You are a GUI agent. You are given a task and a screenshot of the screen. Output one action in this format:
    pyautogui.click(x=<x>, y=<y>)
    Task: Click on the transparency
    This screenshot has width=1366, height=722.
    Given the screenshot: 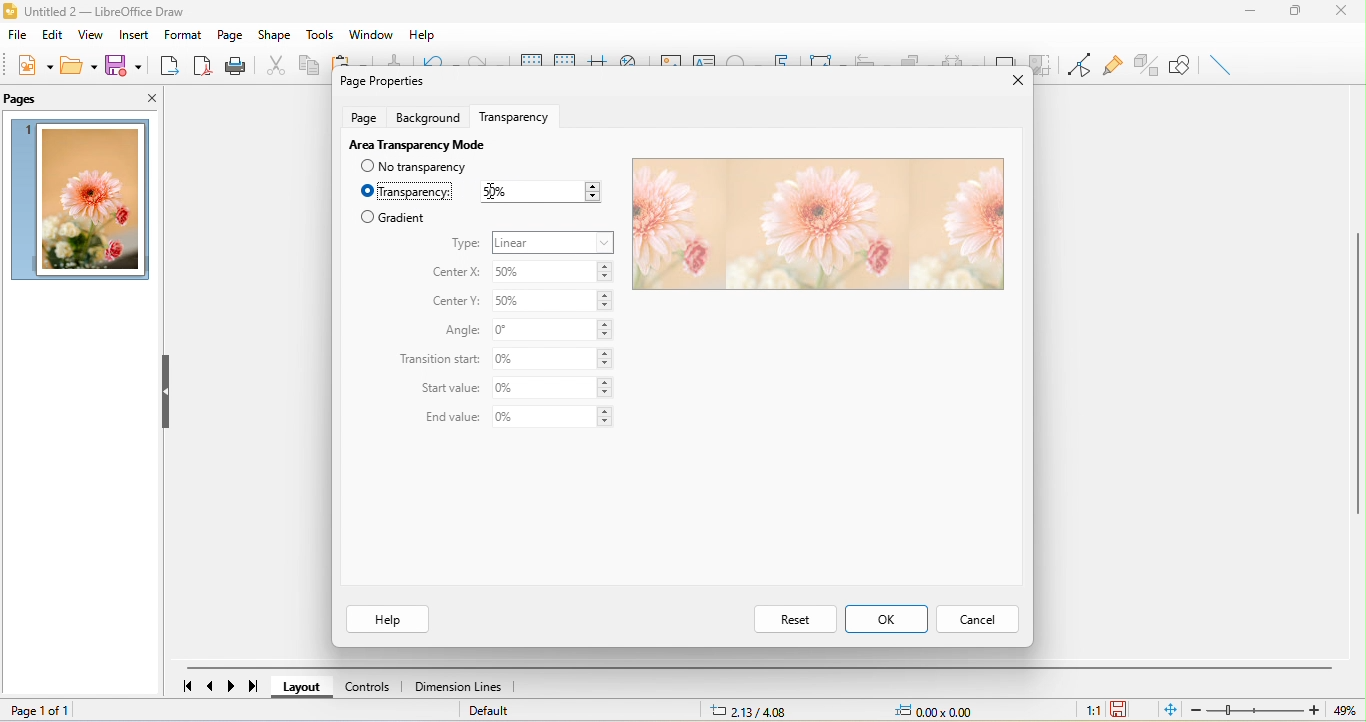 What is the action you would take?
    pyautogui.click(x=520, y=114)
    